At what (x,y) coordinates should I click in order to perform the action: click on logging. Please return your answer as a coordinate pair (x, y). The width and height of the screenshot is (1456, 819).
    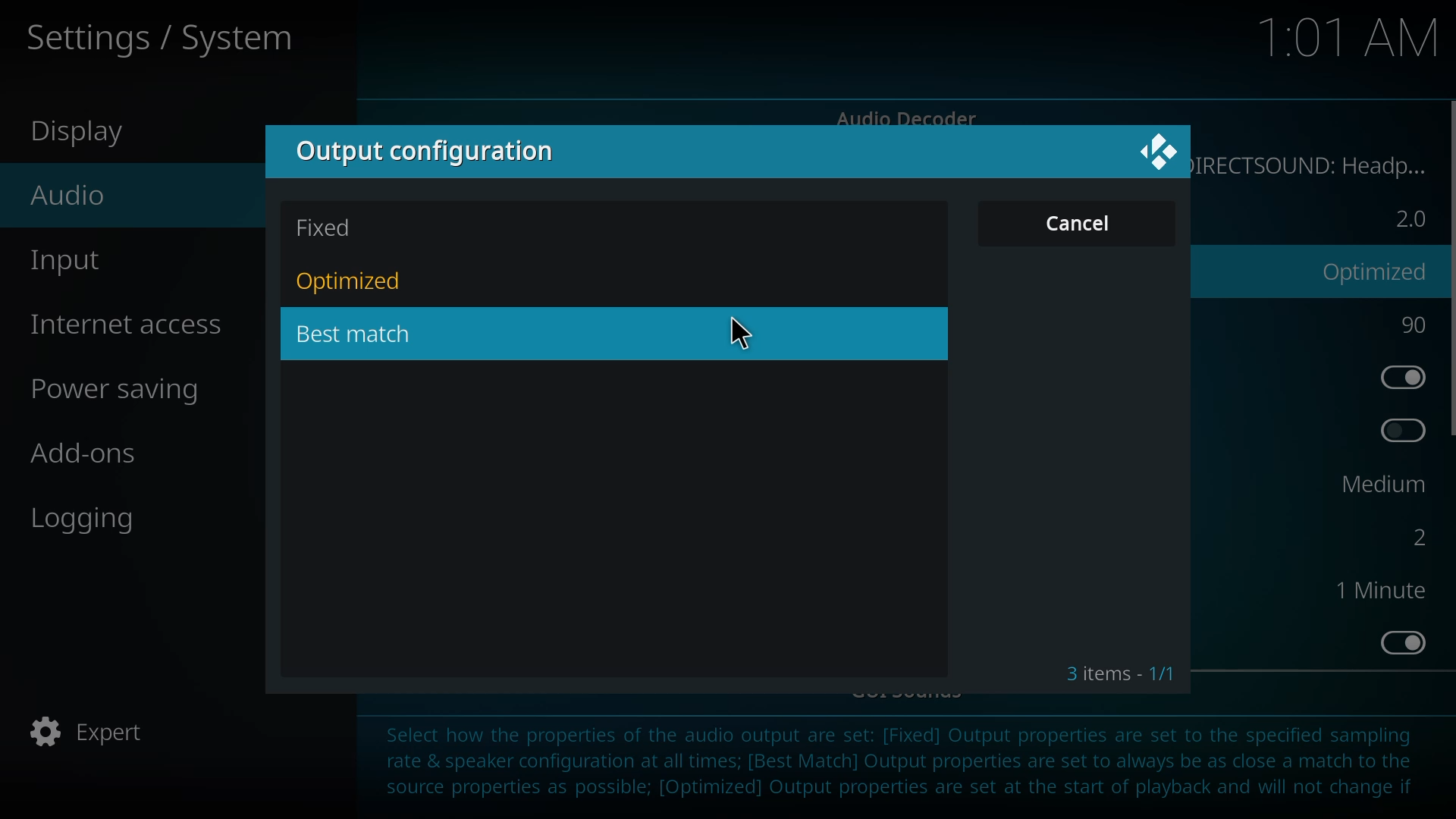
    Looking at the image, I should click on (80, 521).